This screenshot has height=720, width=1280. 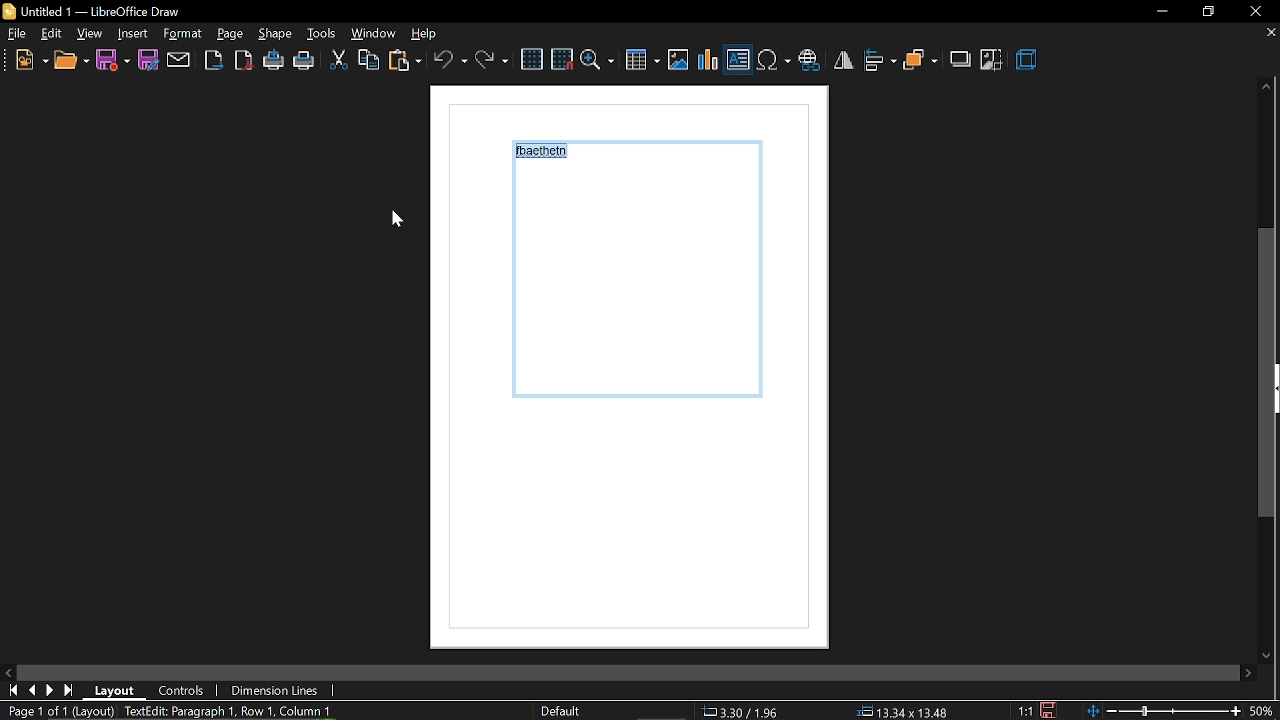 What do you see at coordinates (1250, 673) in the screenshot?
I see `move right` at bounding box center [1250, 673].